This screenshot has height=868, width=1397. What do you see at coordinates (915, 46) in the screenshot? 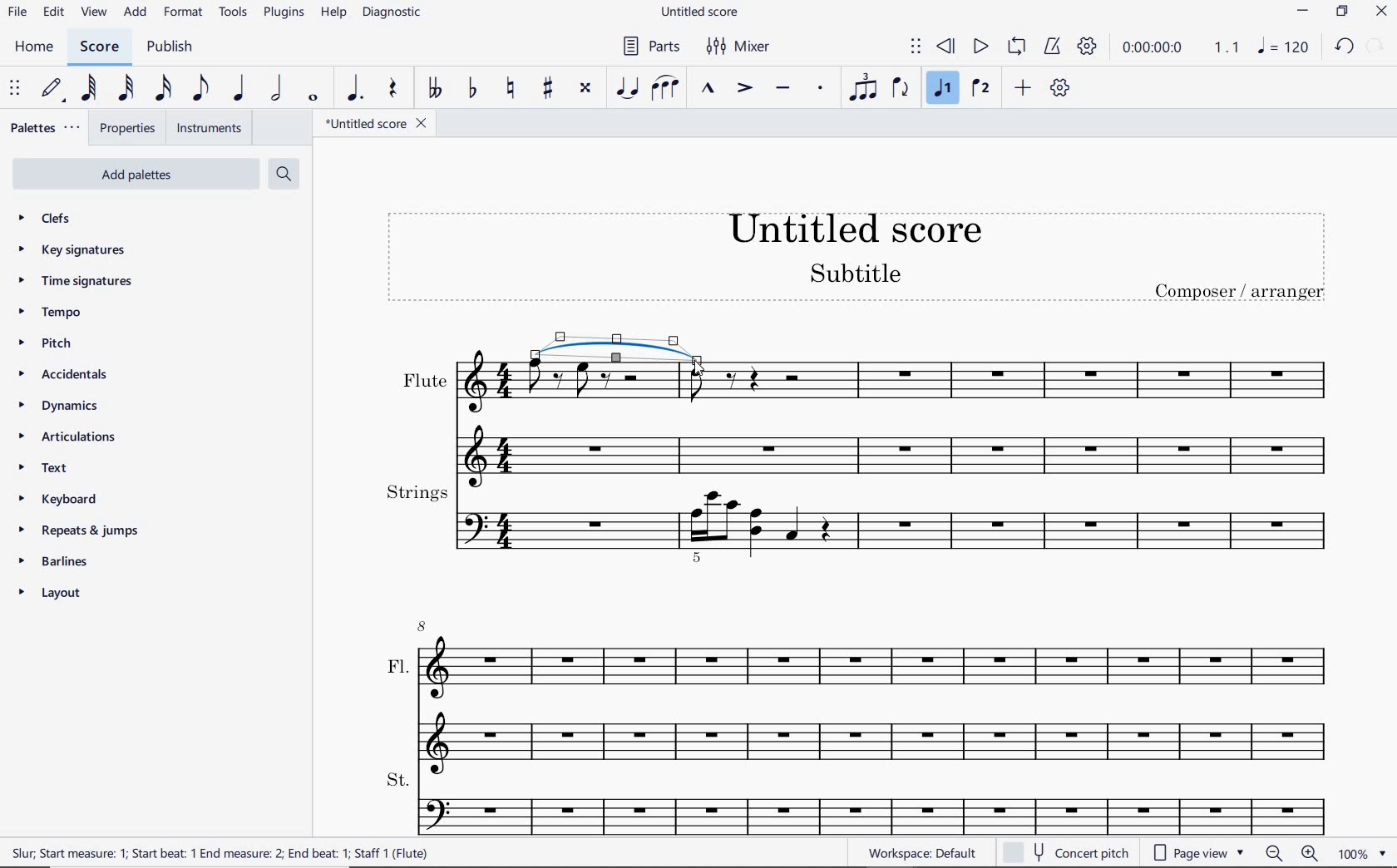
I see `SELECT TO MOVE` at bounding box center [915, 46].